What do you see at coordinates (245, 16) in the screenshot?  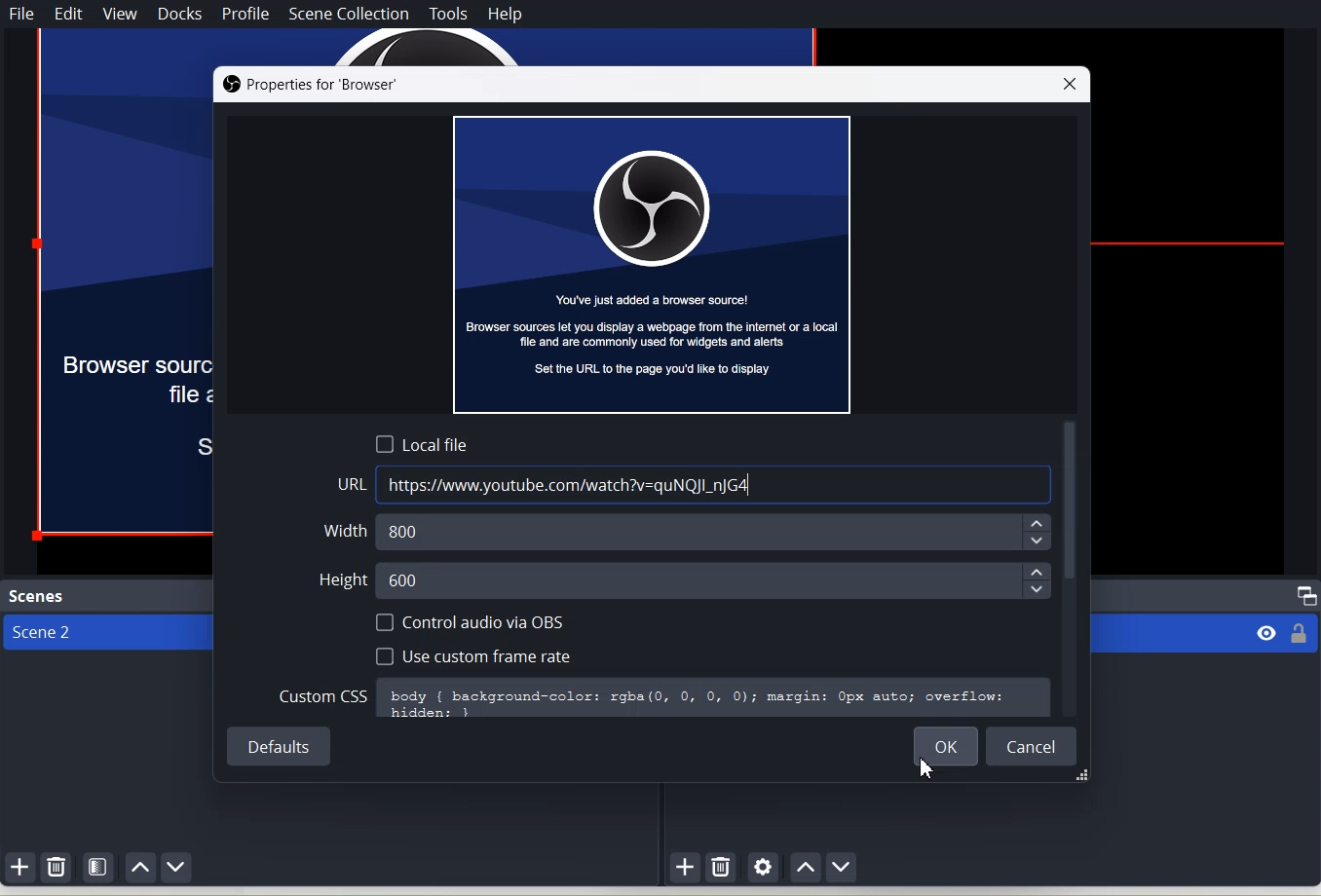 I see `Profile` at bounding box center [245, 16].